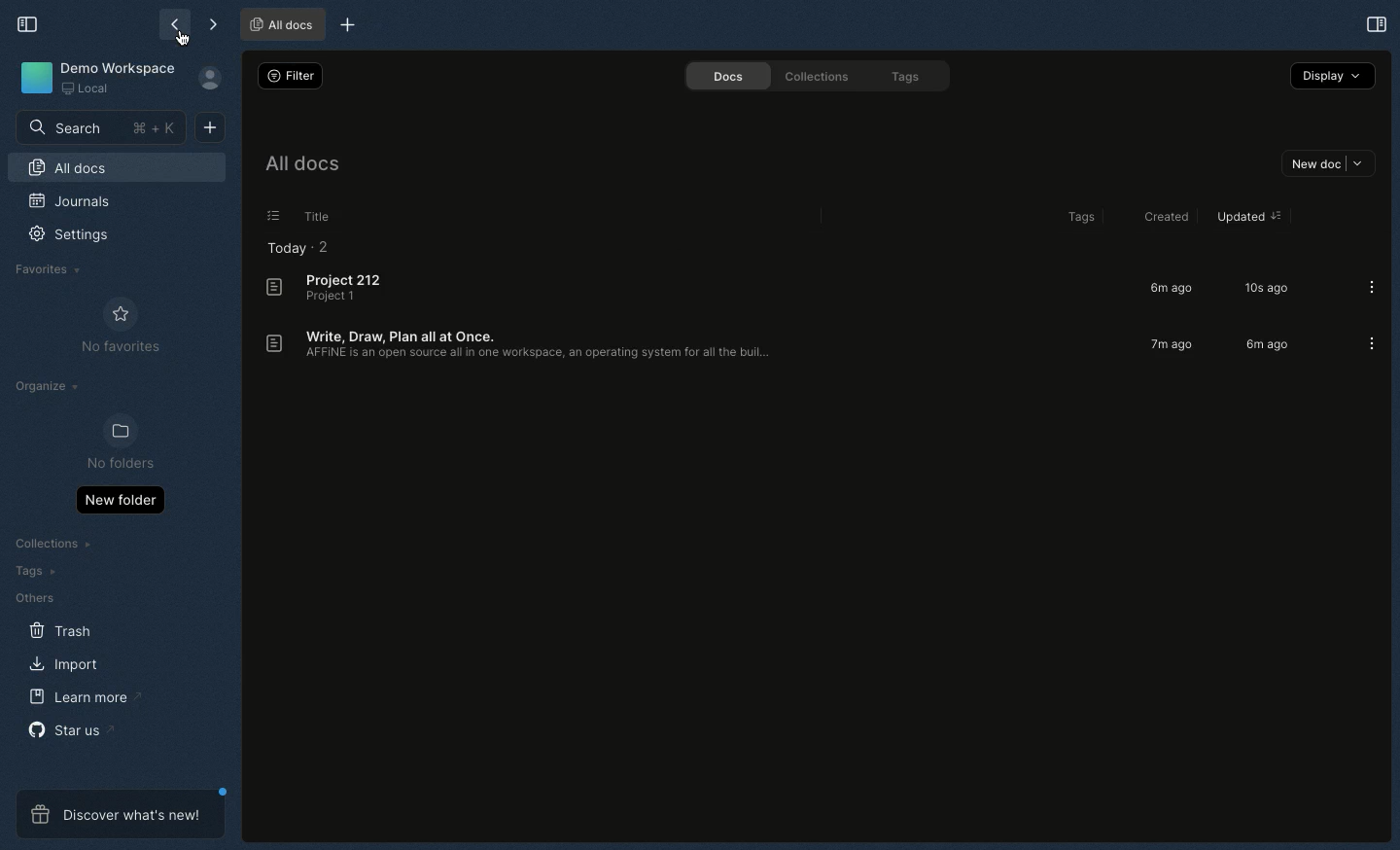 The height and width of the screenshot is (850, 1400). Describe the element at coordinates (68, 728) in the screenshot. I see `Star us` at that location.